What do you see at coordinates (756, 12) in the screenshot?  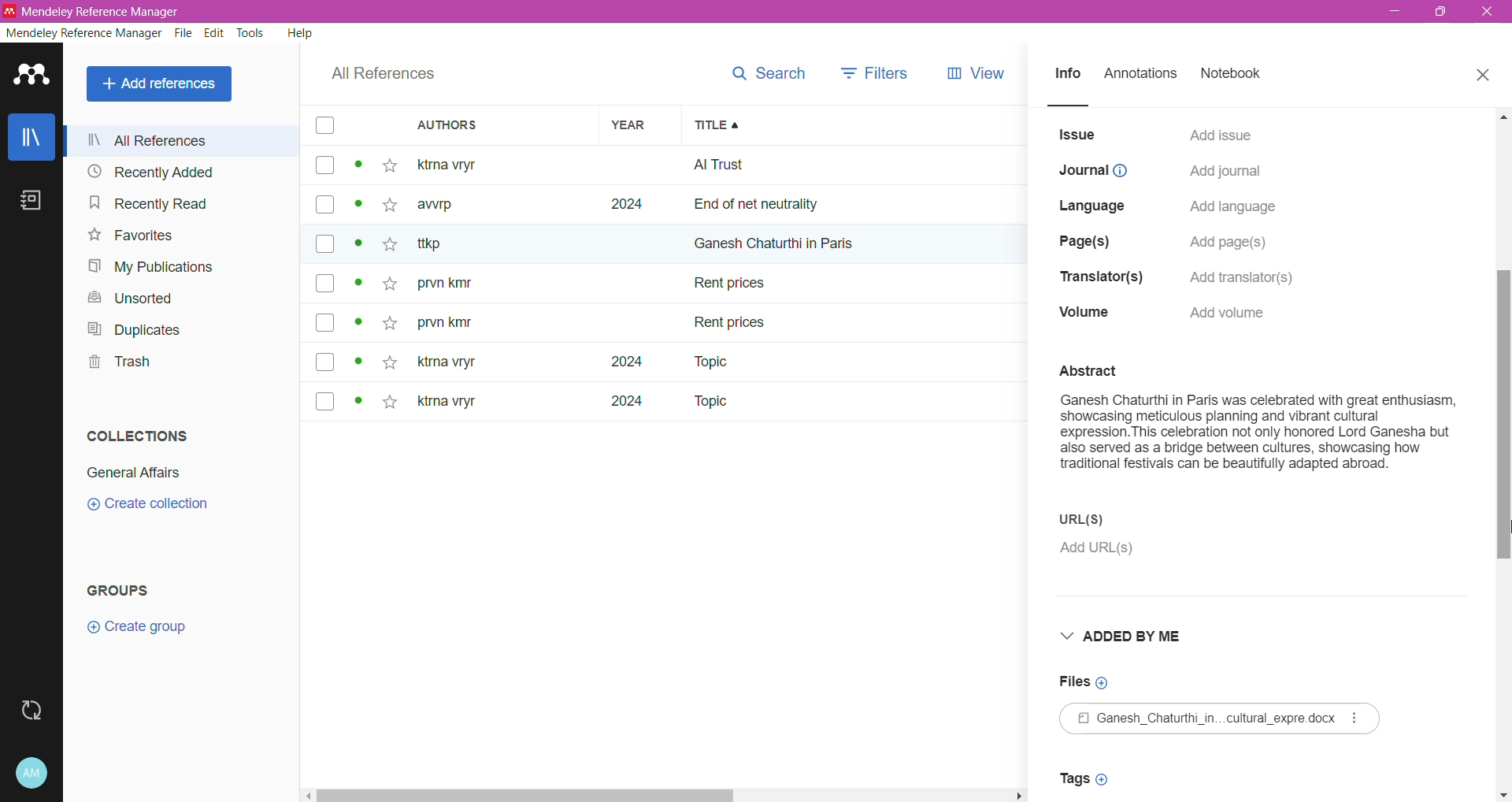 I see `Title bar color change on click` at bounding box center [756, 12].